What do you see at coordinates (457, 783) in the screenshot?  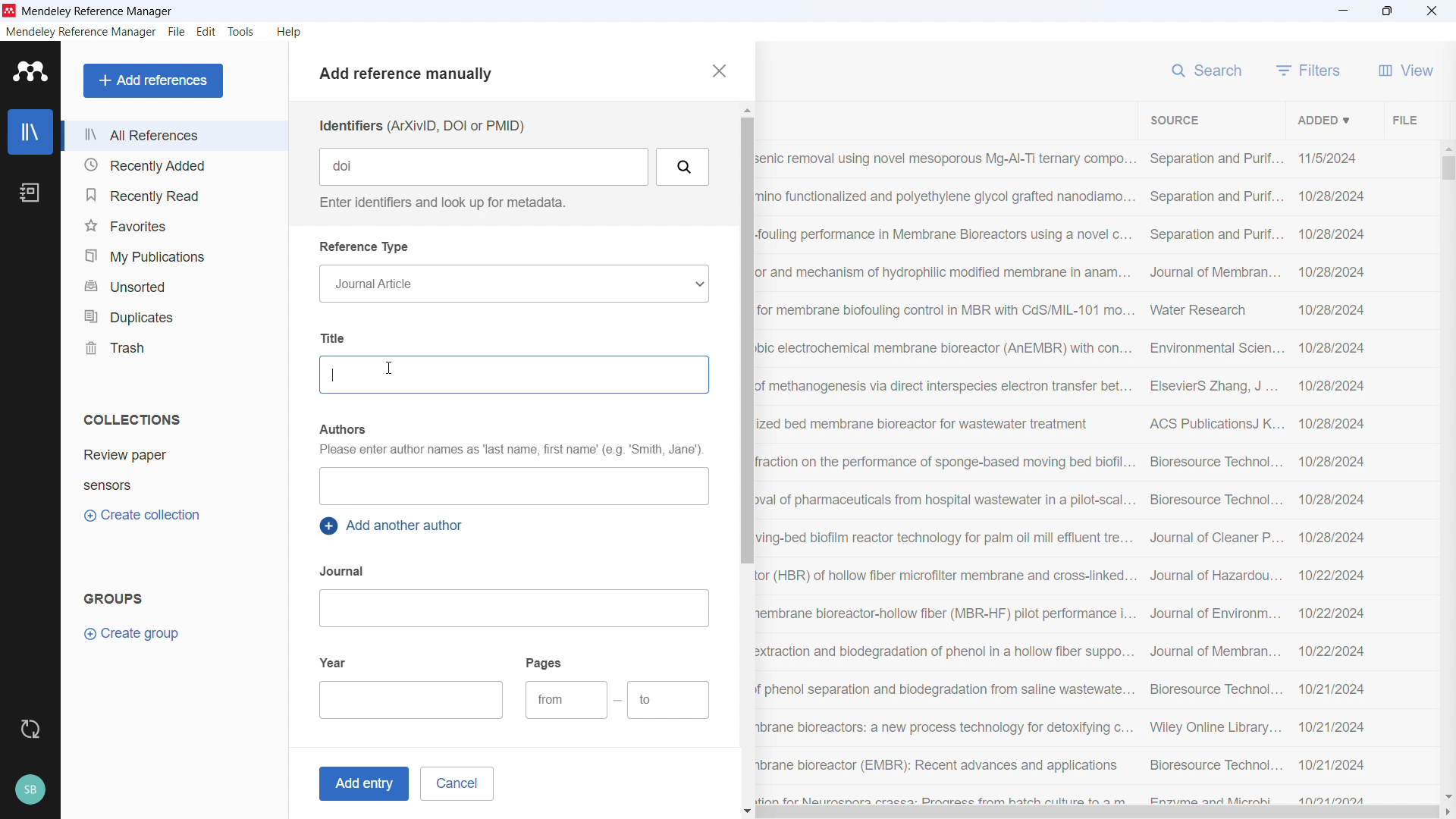 I see `cancel ` at bounding box center [457, 783].